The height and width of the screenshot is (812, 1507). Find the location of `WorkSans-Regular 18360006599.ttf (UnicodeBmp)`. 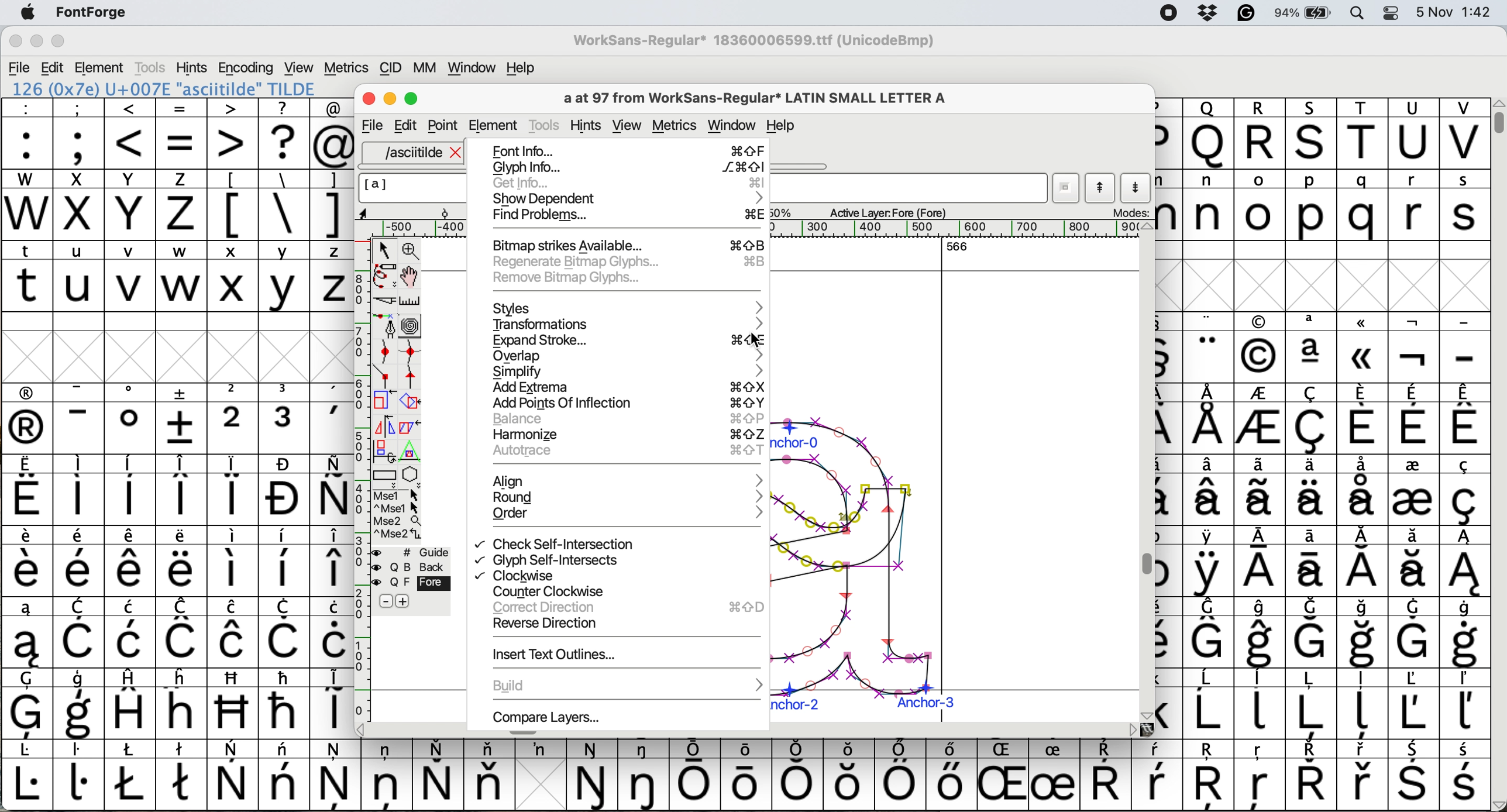

WorkSans-Regular 18360006599.ttf (UnicodeBmp) is located at coordinates (754, 43).